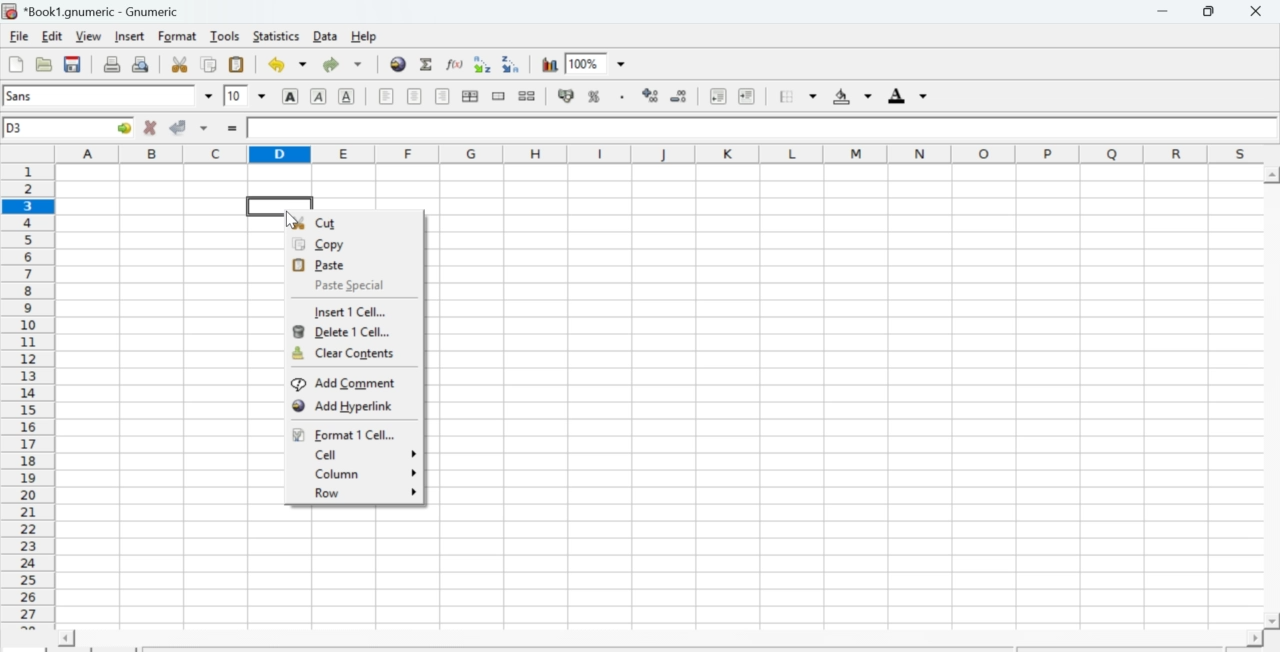 The image size is (1280, 652). What do you see at coordinates (207, 96) in the screenshot?
I see `down` at bounding box center [207, 96].